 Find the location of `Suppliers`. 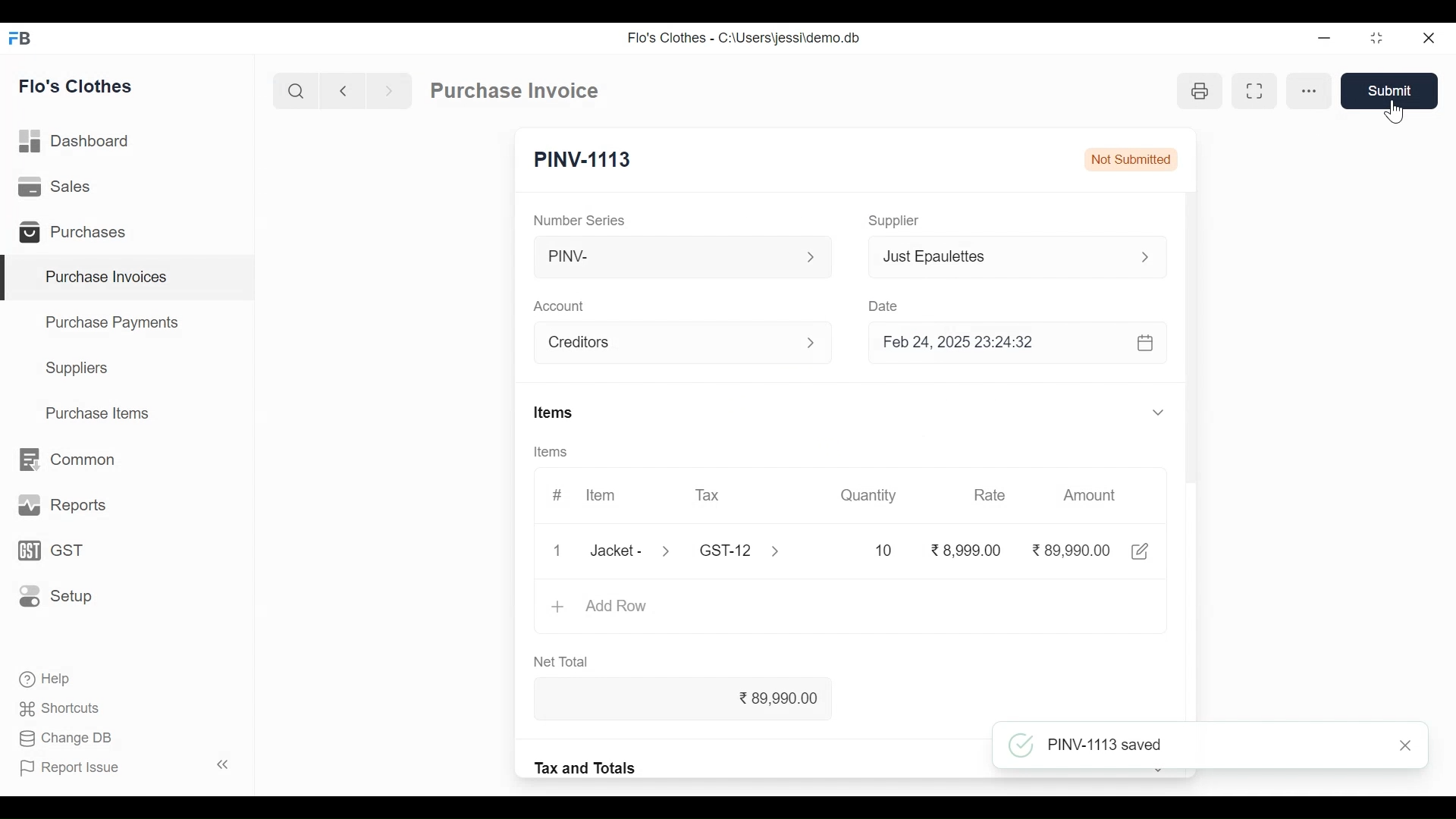

Suppliers is located at coordinates (80, 370).